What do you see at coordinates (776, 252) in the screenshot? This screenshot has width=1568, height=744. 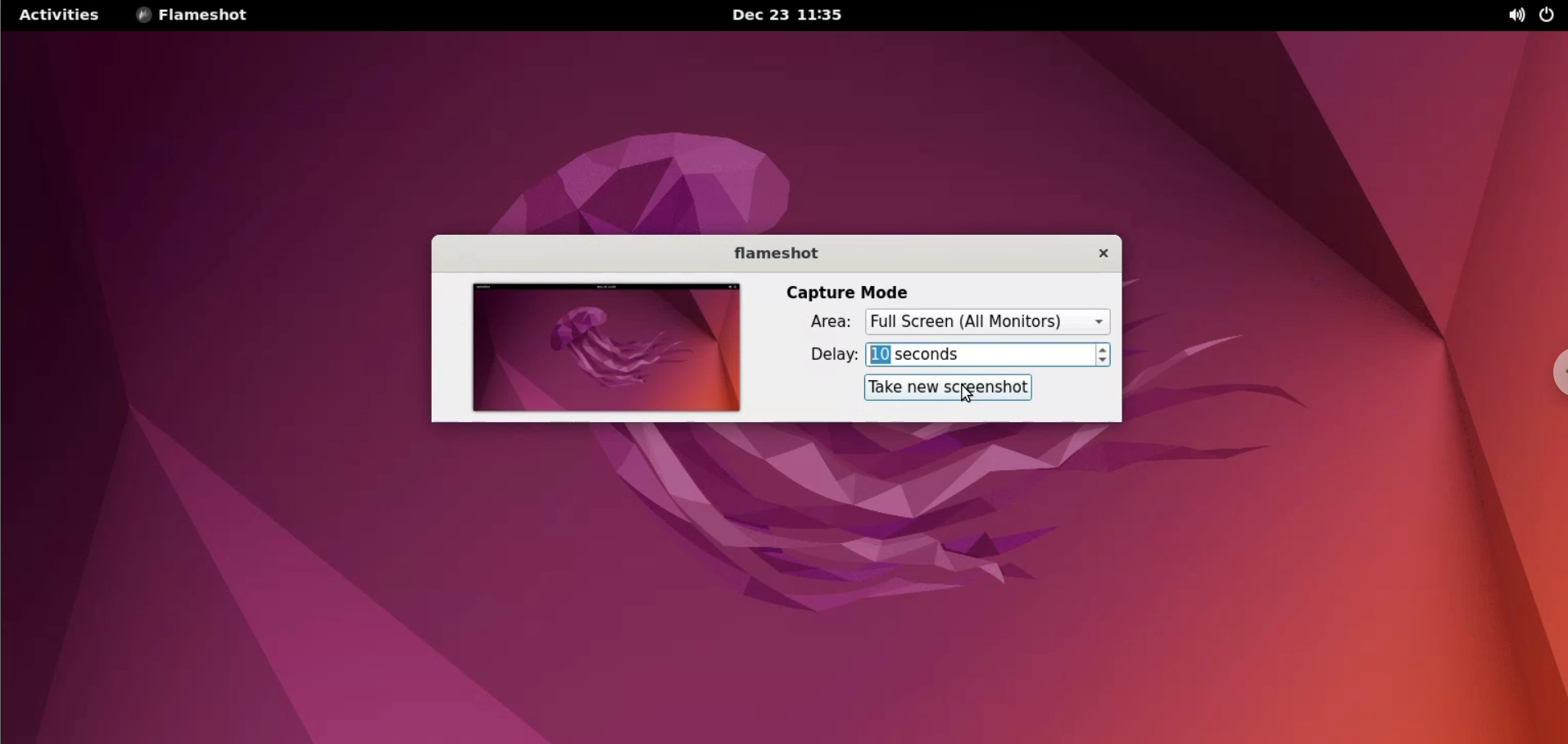 I see `flameshot` at bounding box center [776, 252].